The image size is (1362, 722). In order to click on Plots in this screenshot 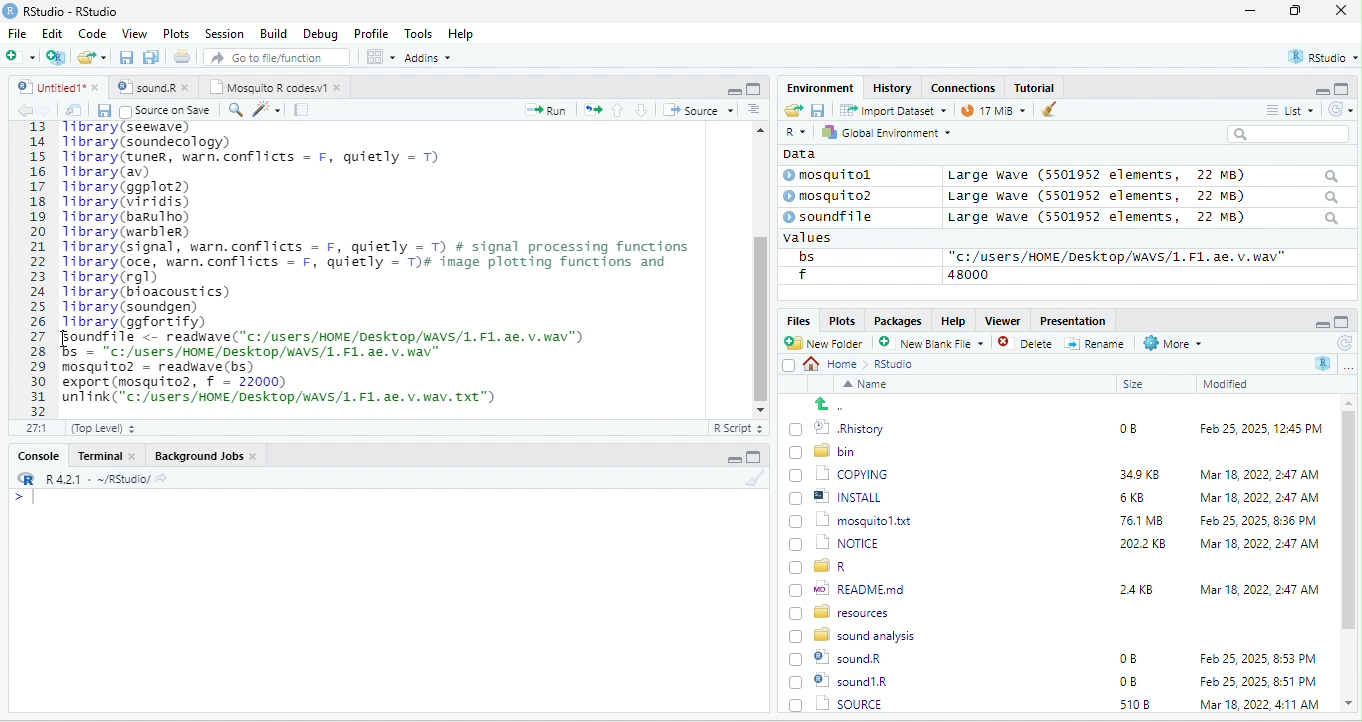, I will do `click(842, 320)`.